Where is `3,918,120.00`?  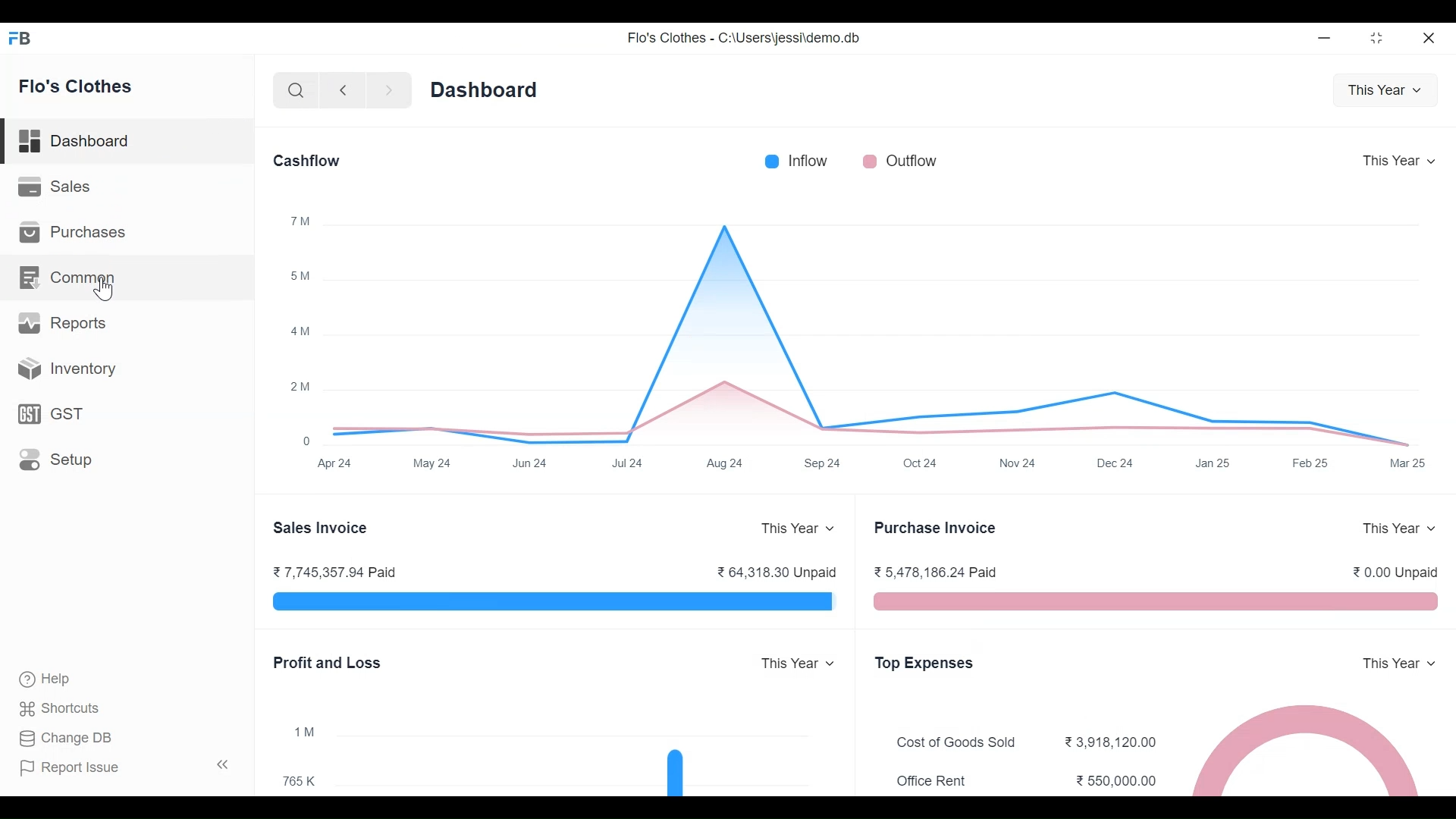 3,918,120.00 is located at coordinates (1113, 740).